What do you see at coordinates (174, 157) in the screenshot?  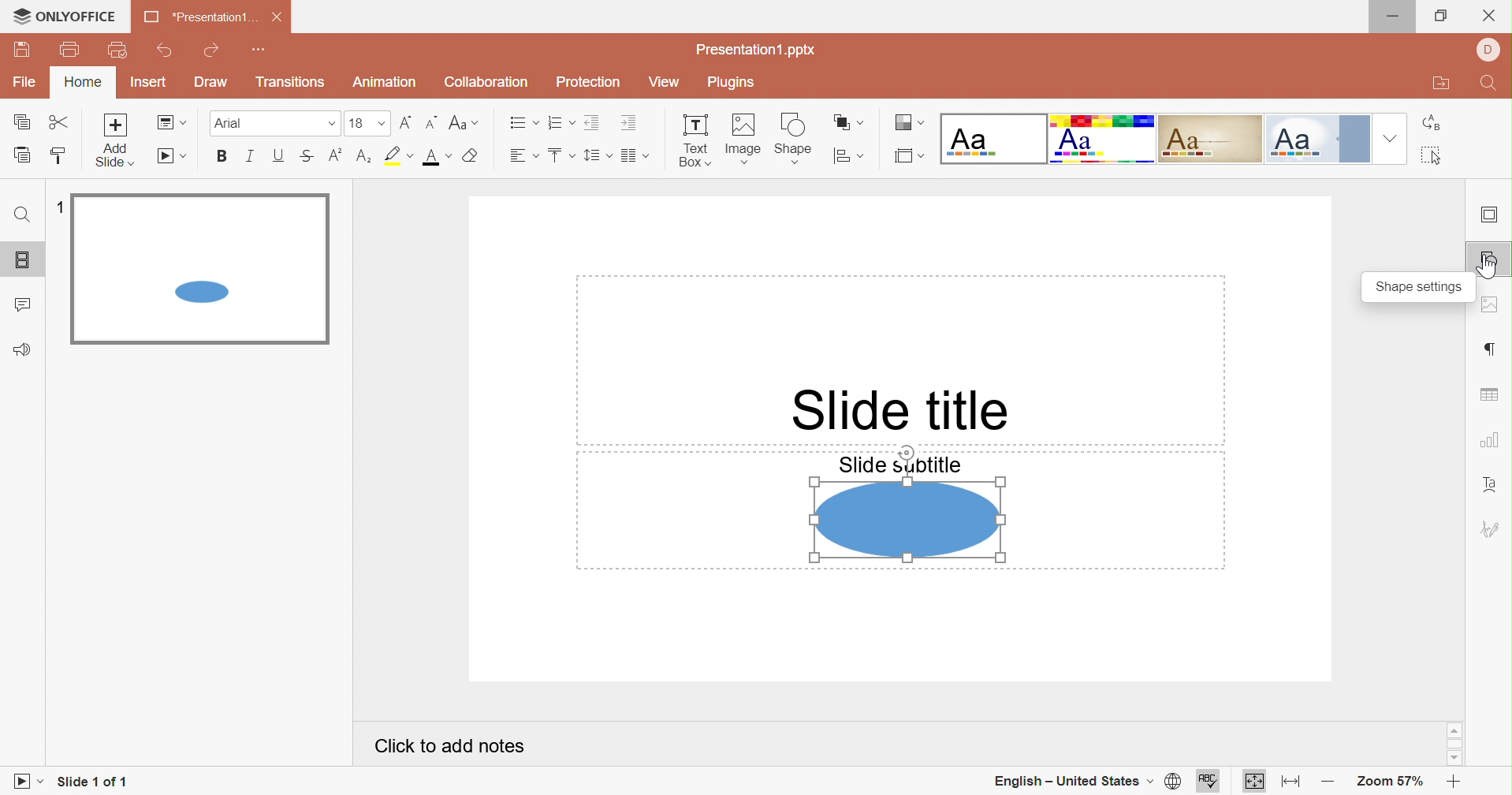 I see `Start slideshow` at bounding box center [174, 157].